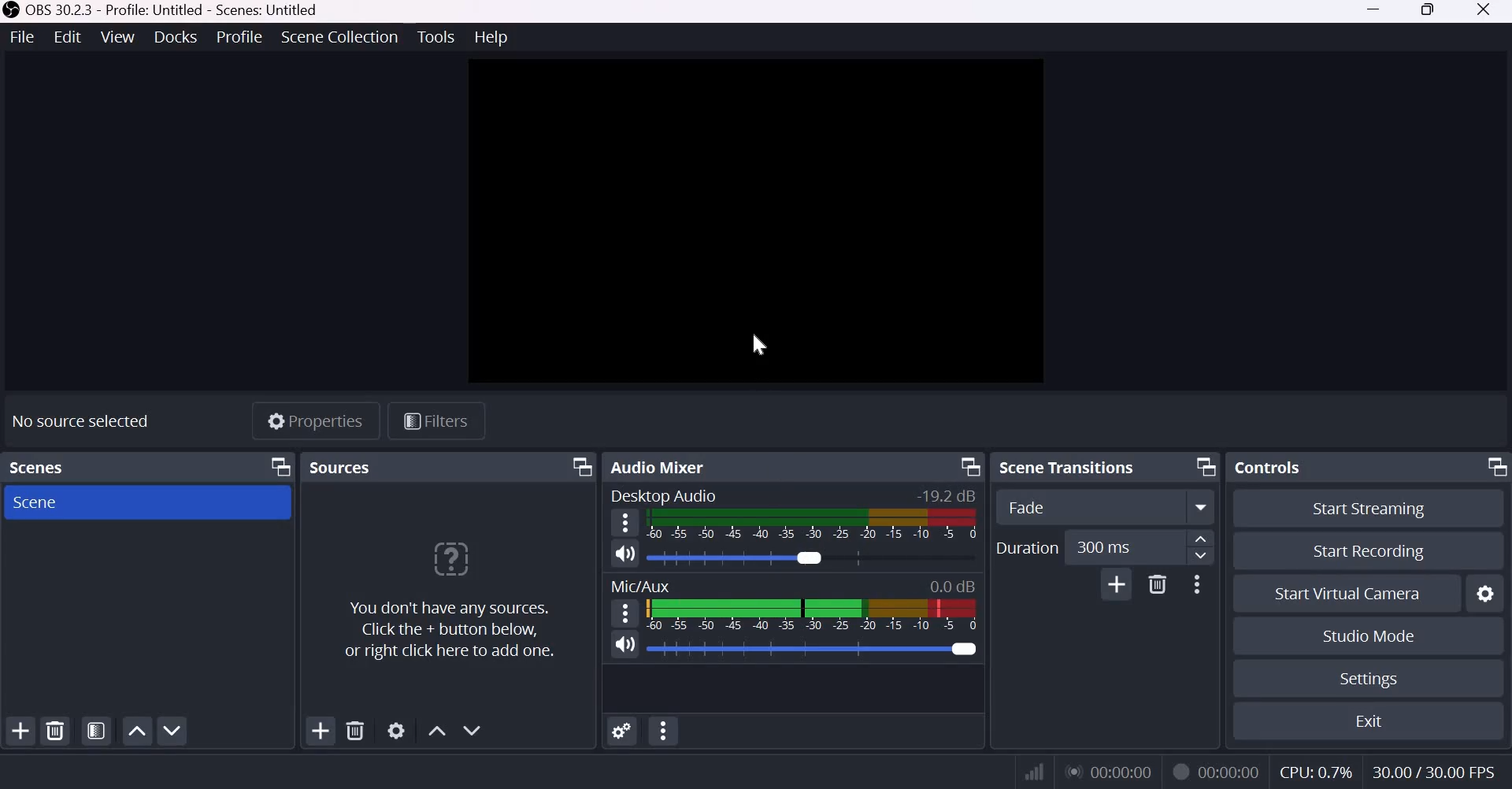 The height and width of the screenshot is (789, 1512). Describe the element at coordinates (1377, 12) in the screenshot. I see `Minimize` at that location.